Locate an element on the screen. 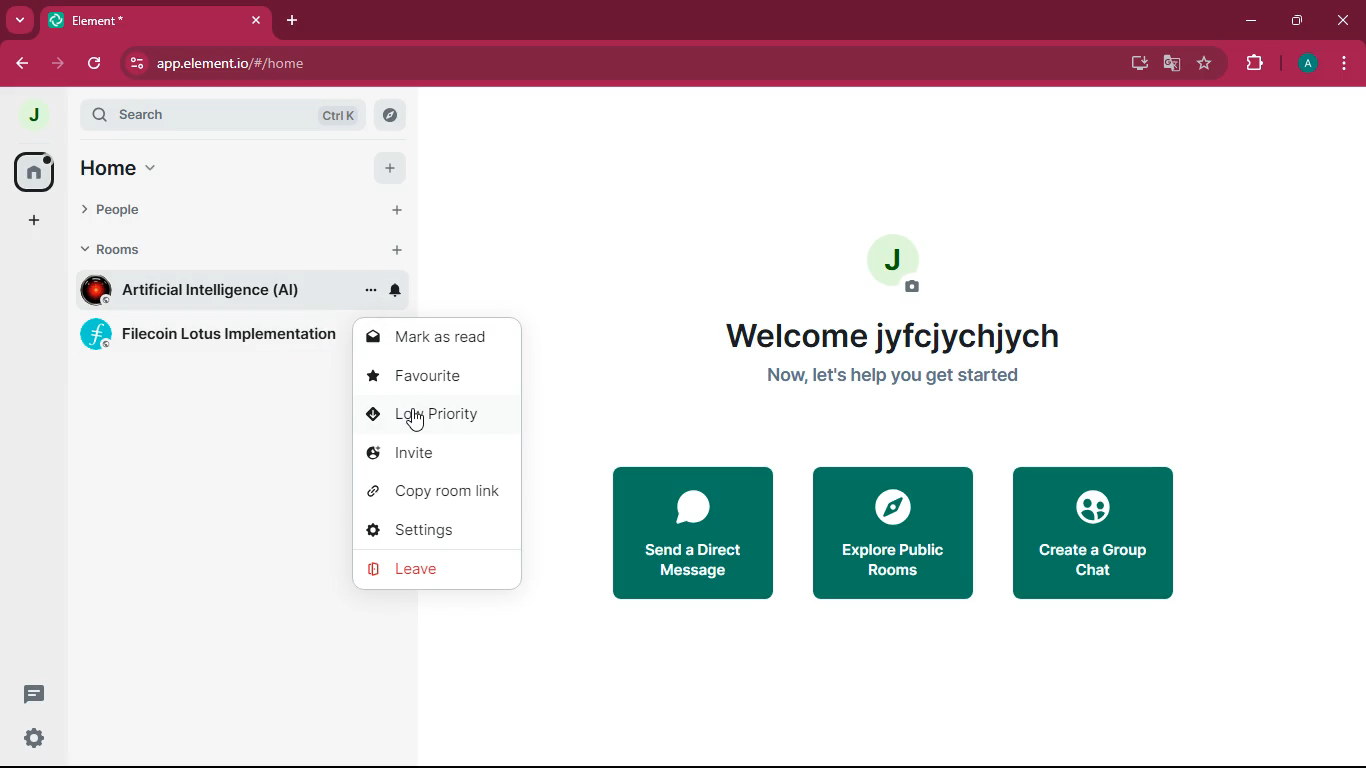  menu is located at coordinates (1346, 64).